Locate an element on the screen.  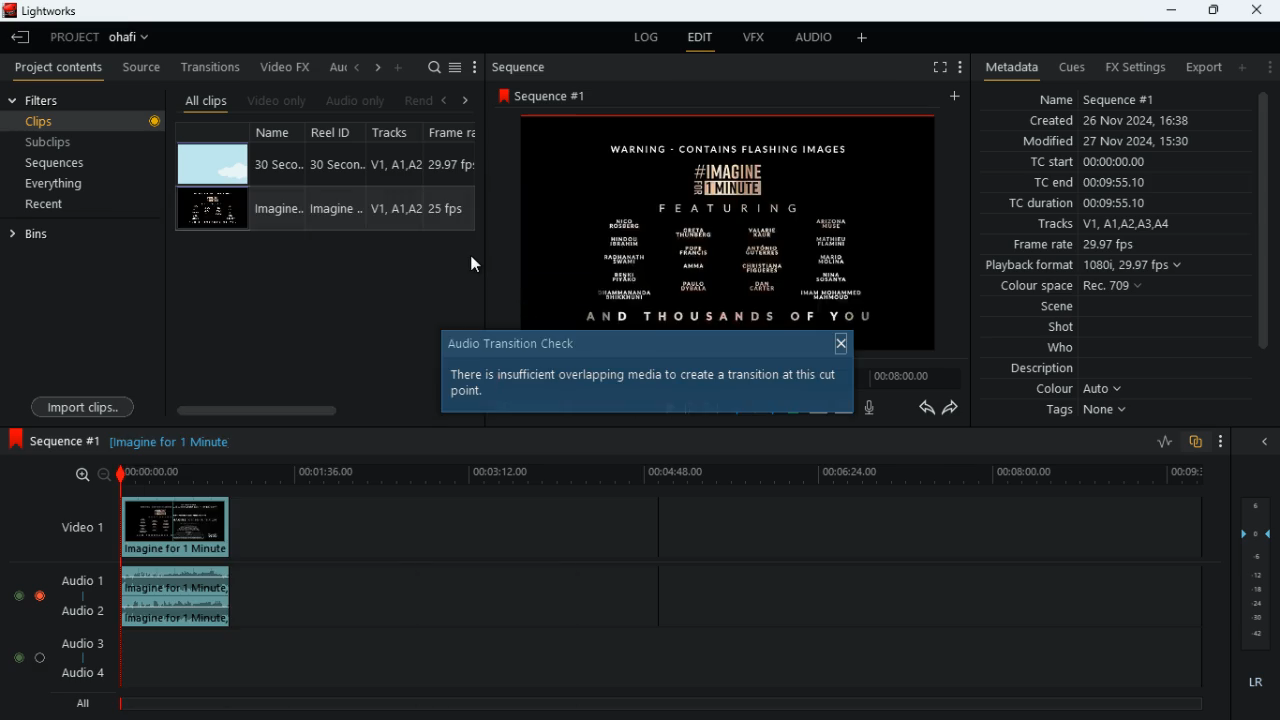
scroll bar is located at coordinates (305, 410).